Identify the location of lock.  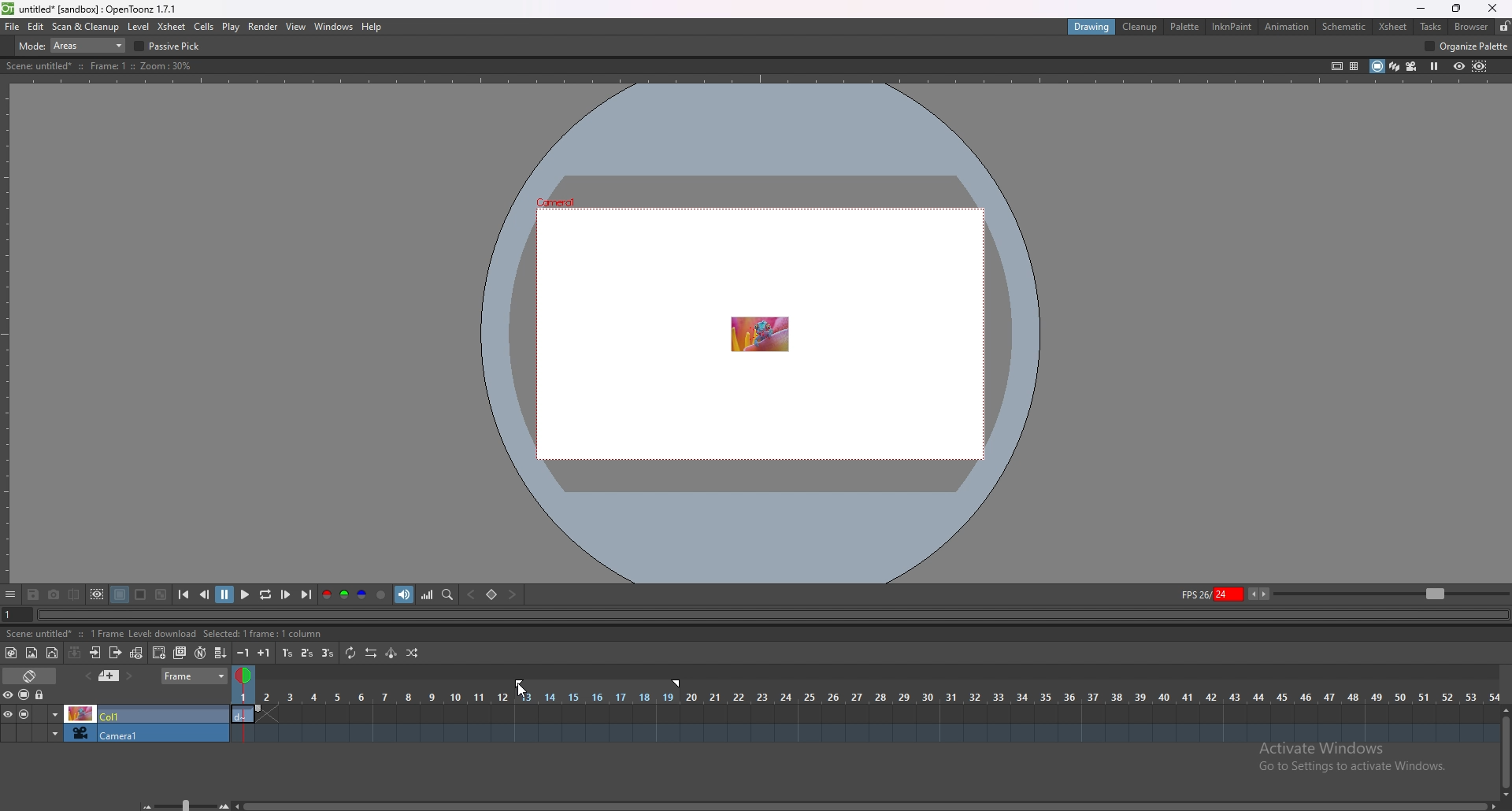
(41, 694).